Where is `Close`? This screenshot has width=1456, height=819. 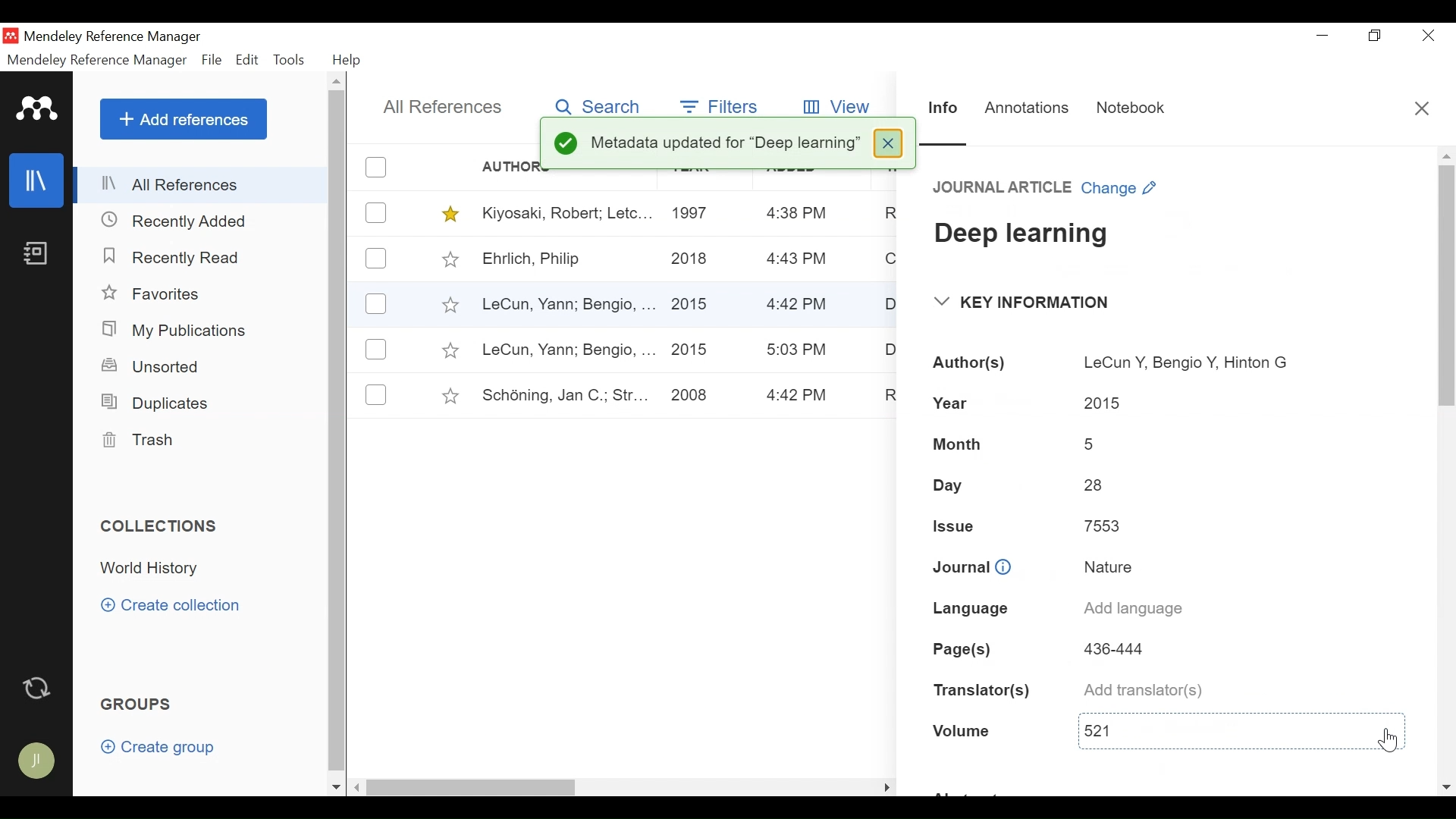 Close is located at coordinates (1423, 112).